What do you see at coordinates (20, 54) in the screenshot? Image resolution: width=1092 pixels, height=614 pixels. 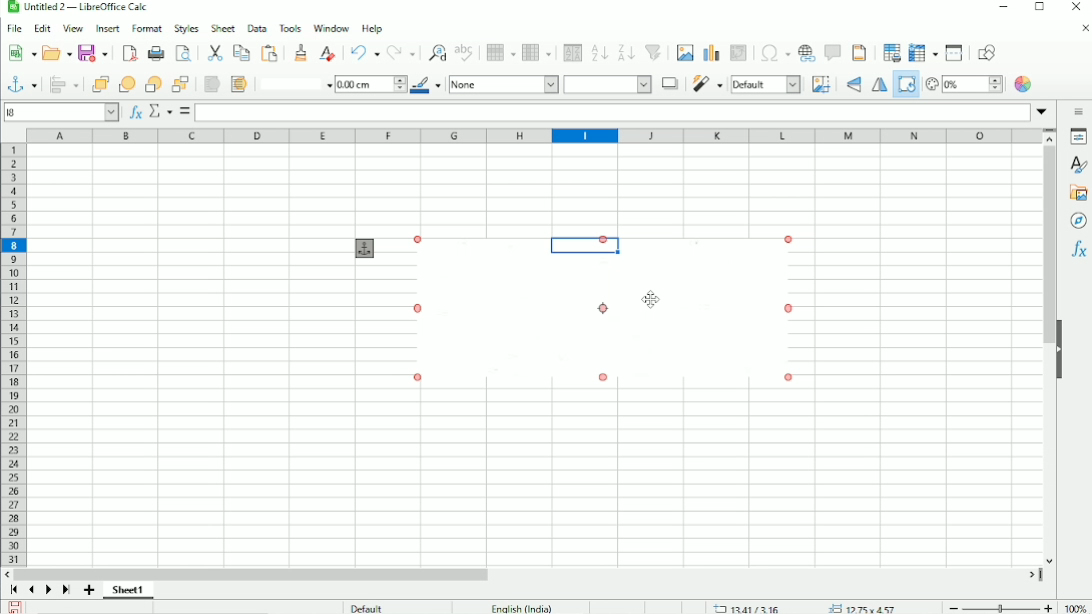 I see `New` at bounding box center [20, 54].